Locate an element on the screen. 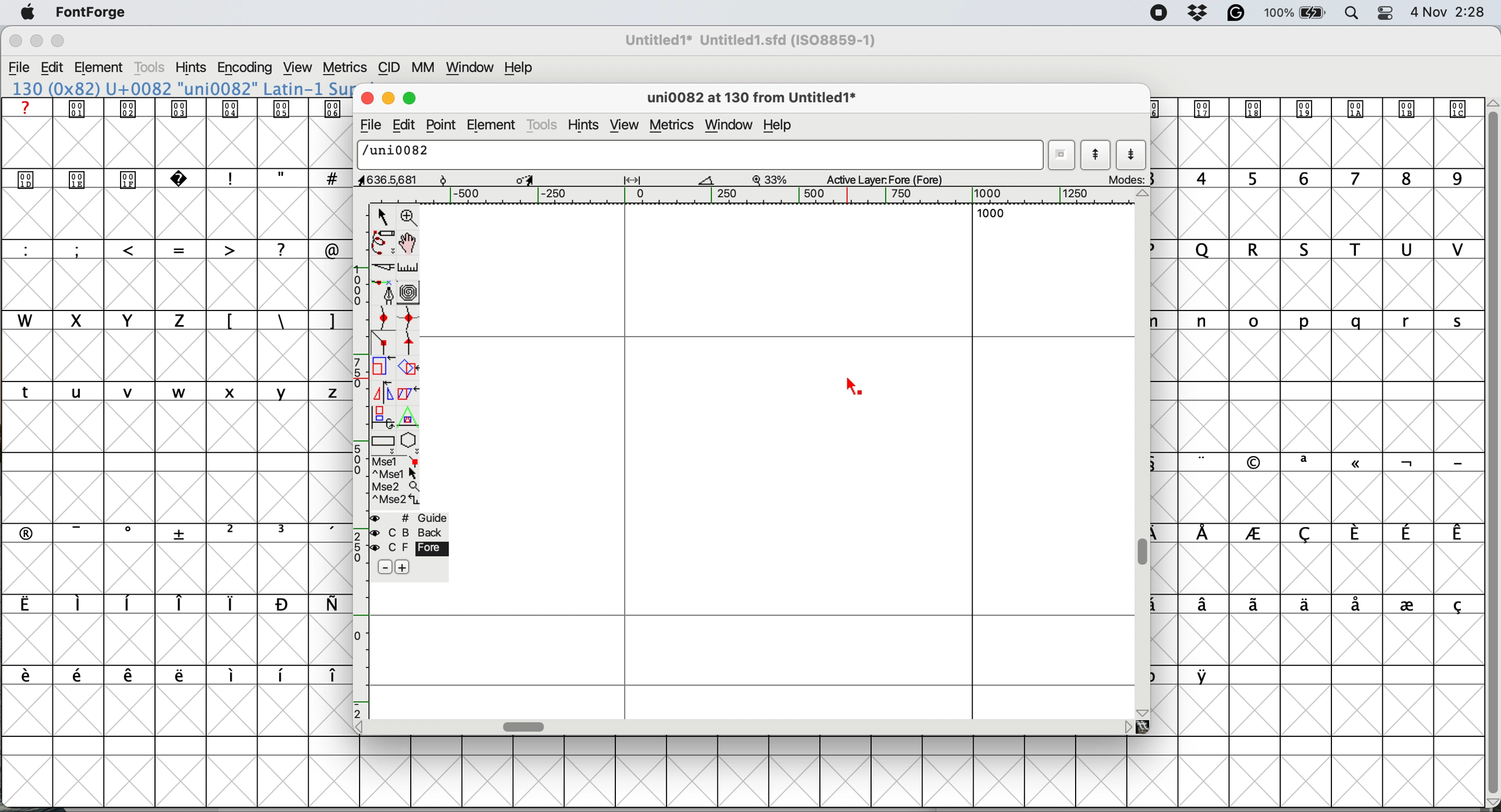  rectangles and ellipses is located at coordinates (385, 443).